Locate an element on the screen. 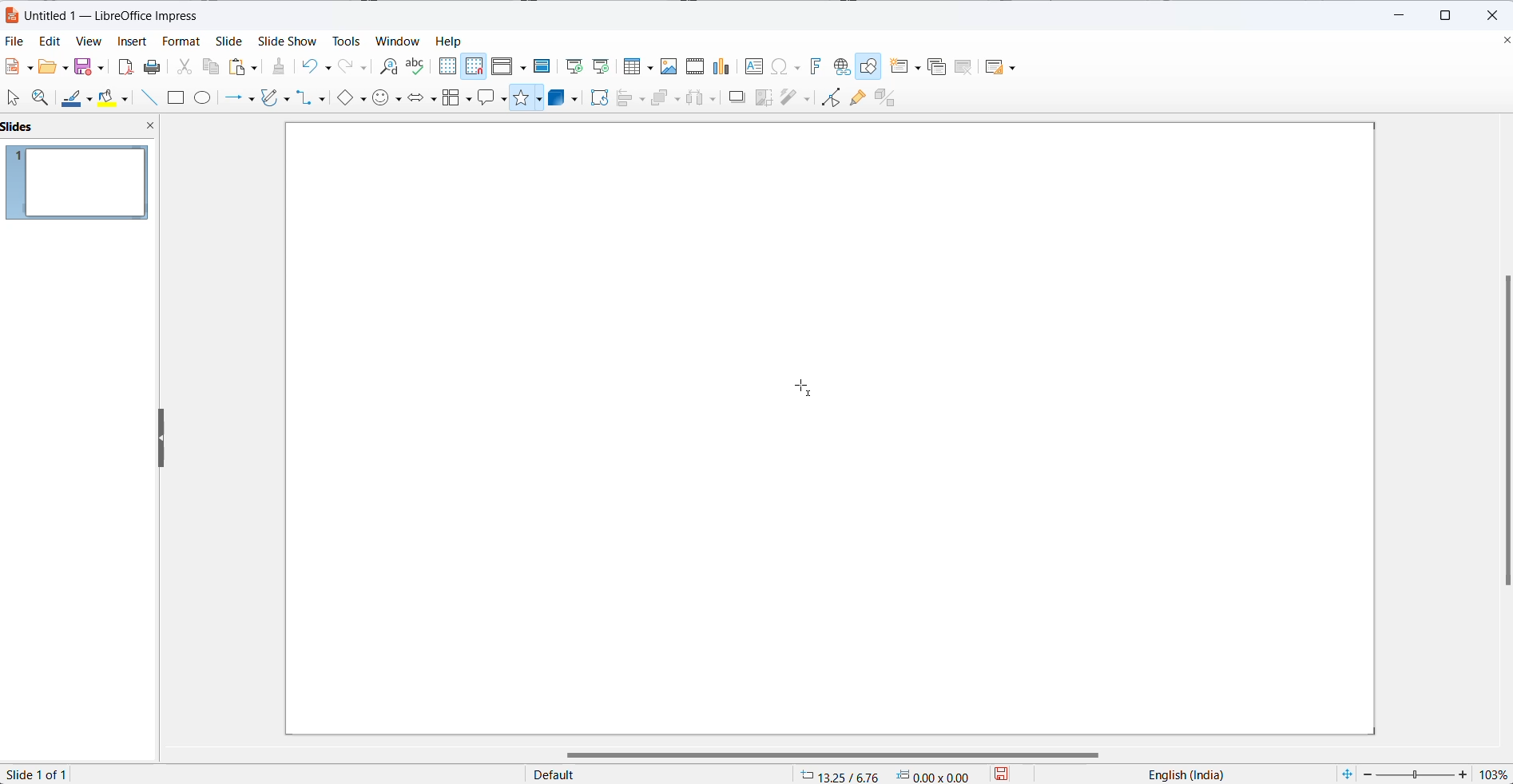 This screenshot has width=1513, height=784. insert text is located at coordinates (755, 69).